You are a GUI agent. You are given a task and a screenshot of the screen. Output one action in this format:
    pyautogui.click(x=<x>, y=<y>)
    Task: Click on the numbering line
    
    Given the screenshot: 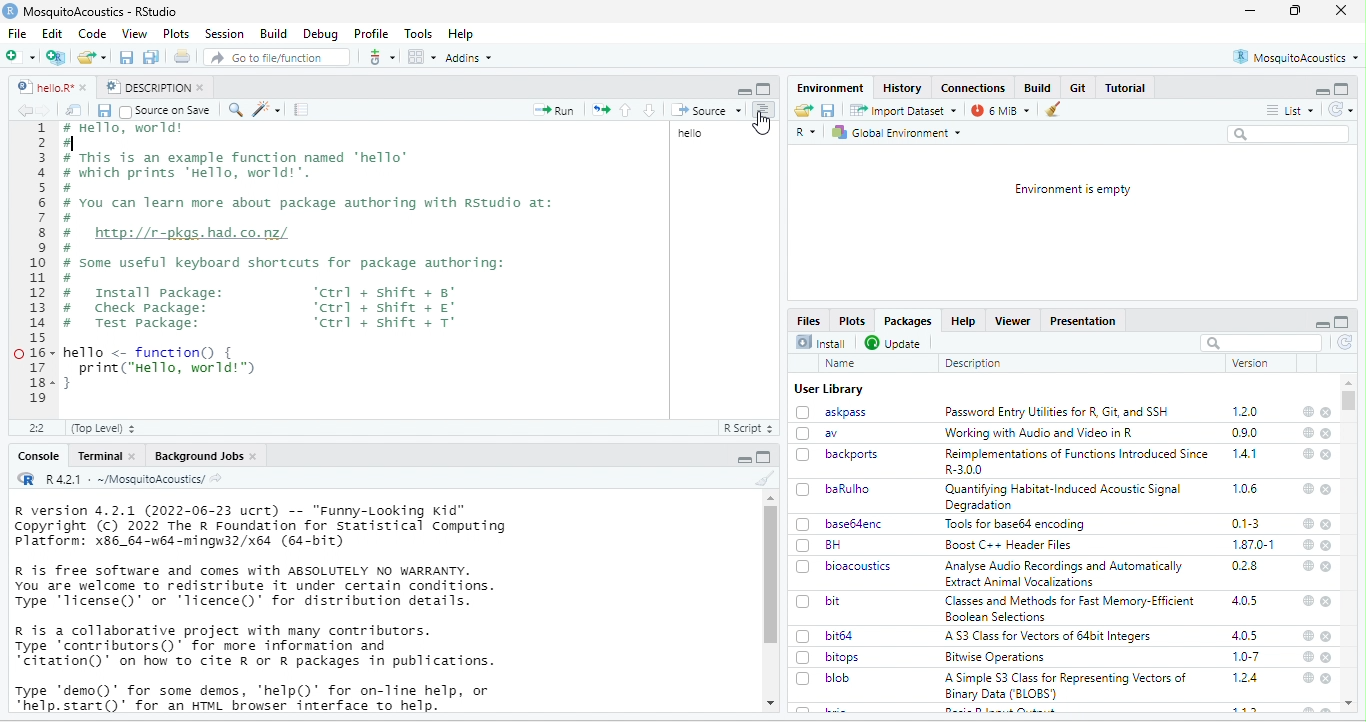 What is the action you would take?
    pyautogui.click(x=38, y=265)
    